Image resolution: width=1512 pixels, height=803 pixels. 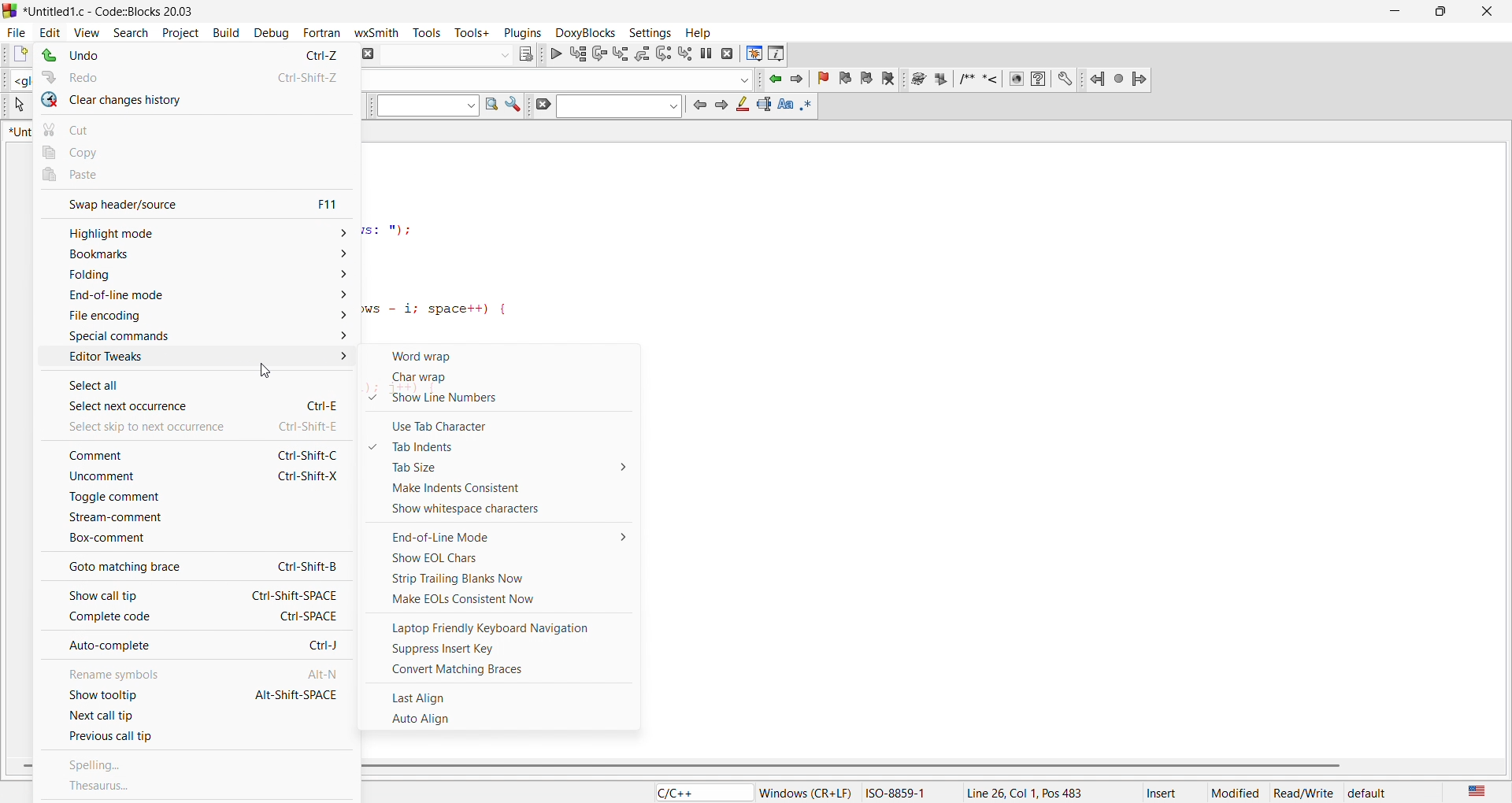 What do you see at coordinates (788, 106) in the screenshot?
I see `icon` at bounding box center [788, 106].